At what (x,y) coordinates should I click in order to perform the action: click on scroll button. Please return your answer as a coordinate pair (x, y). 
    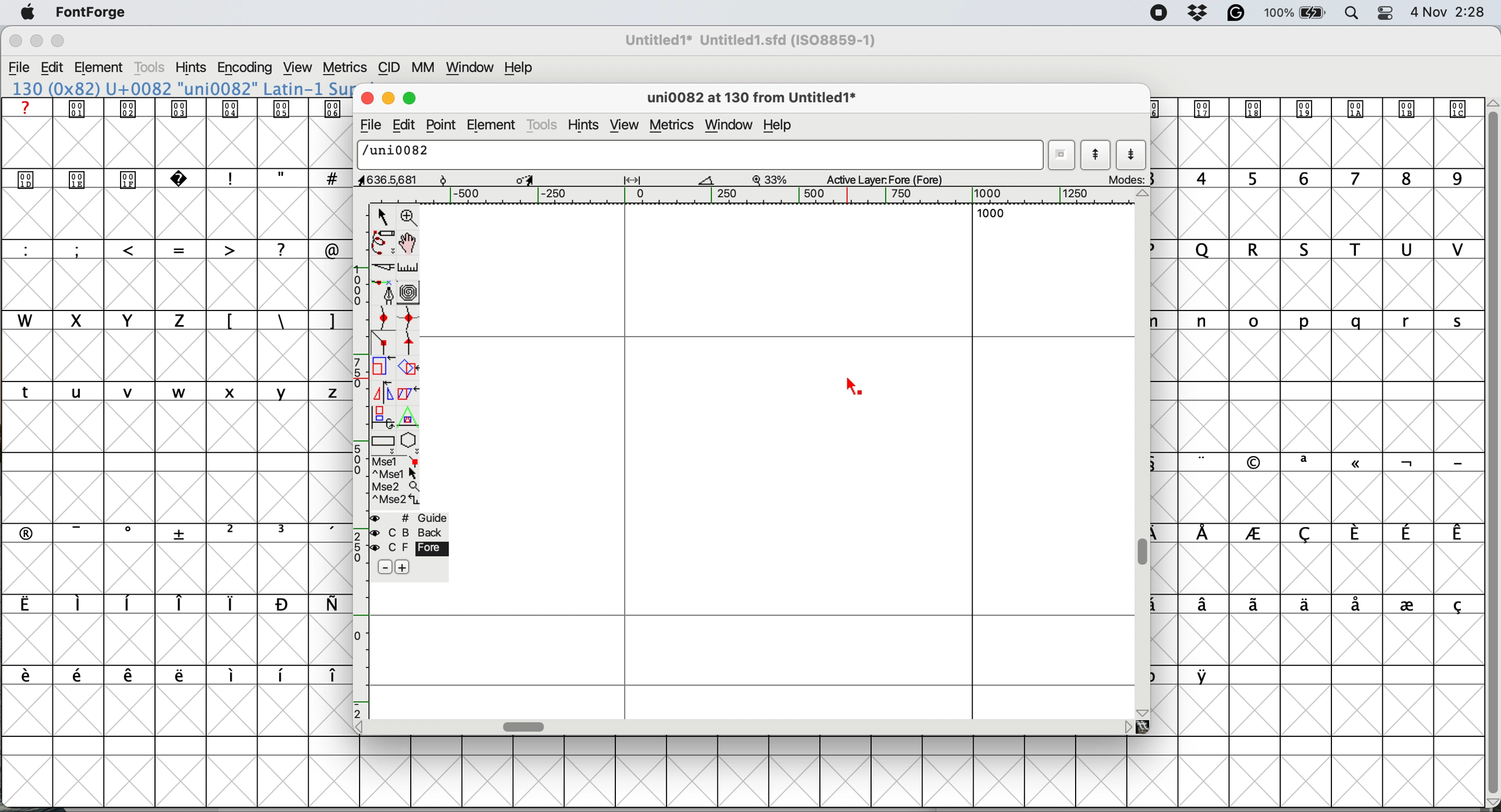
    Looking at the image, I should click on (364, 726).